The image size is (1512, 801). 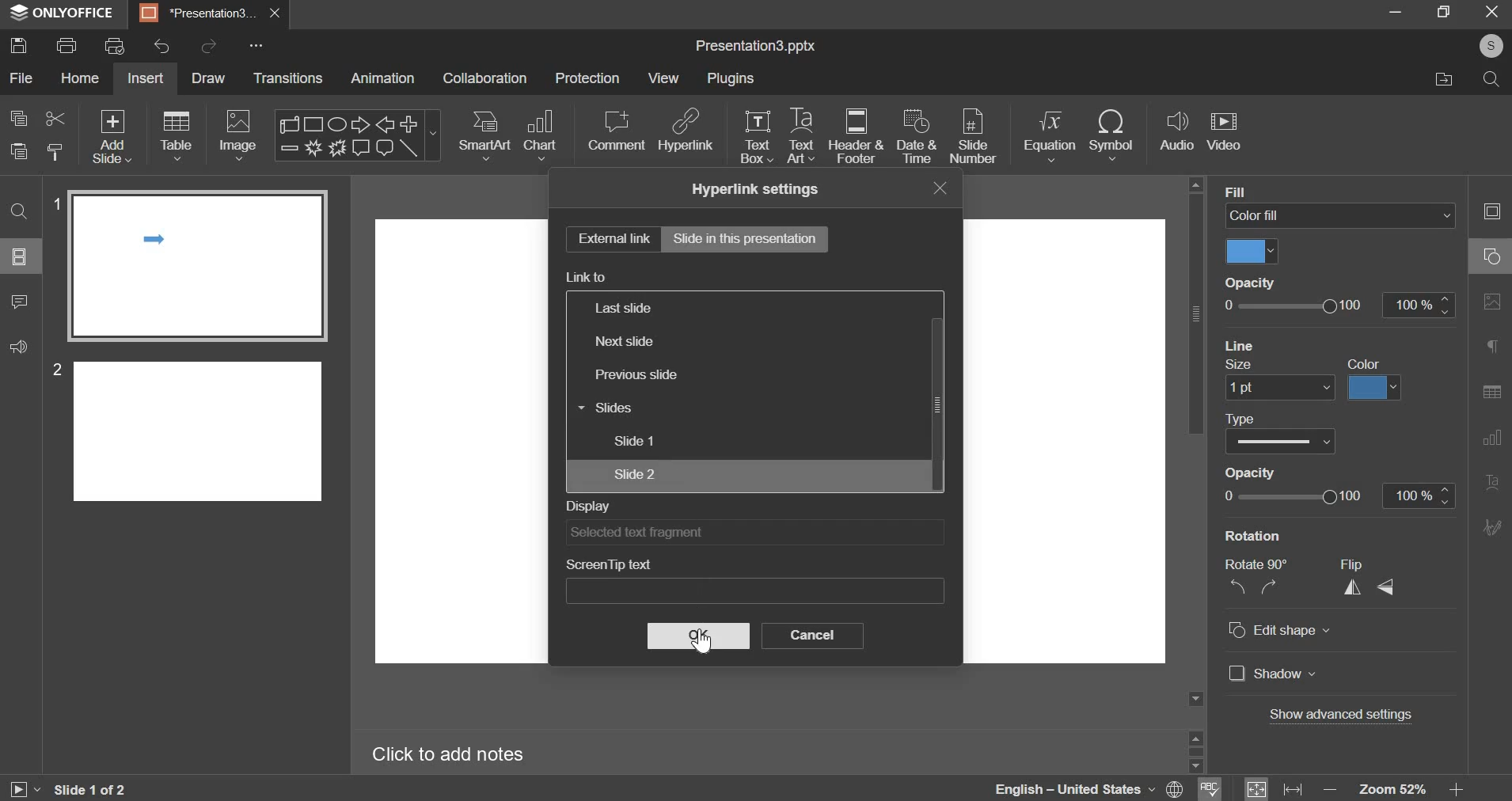 What do you see at coordinates (56, 119) in the screenshot?
I see `cut` at bounding box center [56, 119].